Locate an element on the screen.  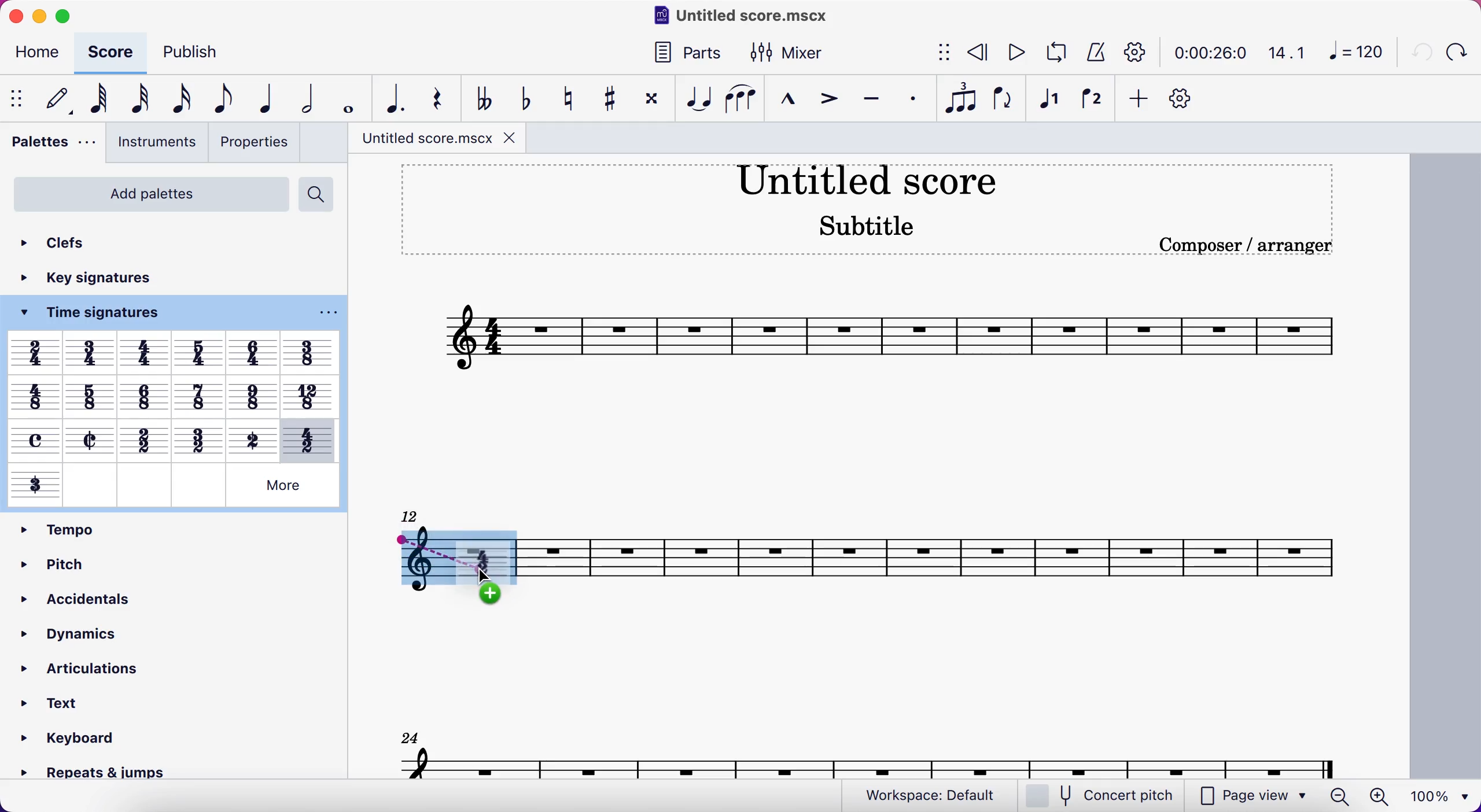
 is located at coordinates (252, 393).